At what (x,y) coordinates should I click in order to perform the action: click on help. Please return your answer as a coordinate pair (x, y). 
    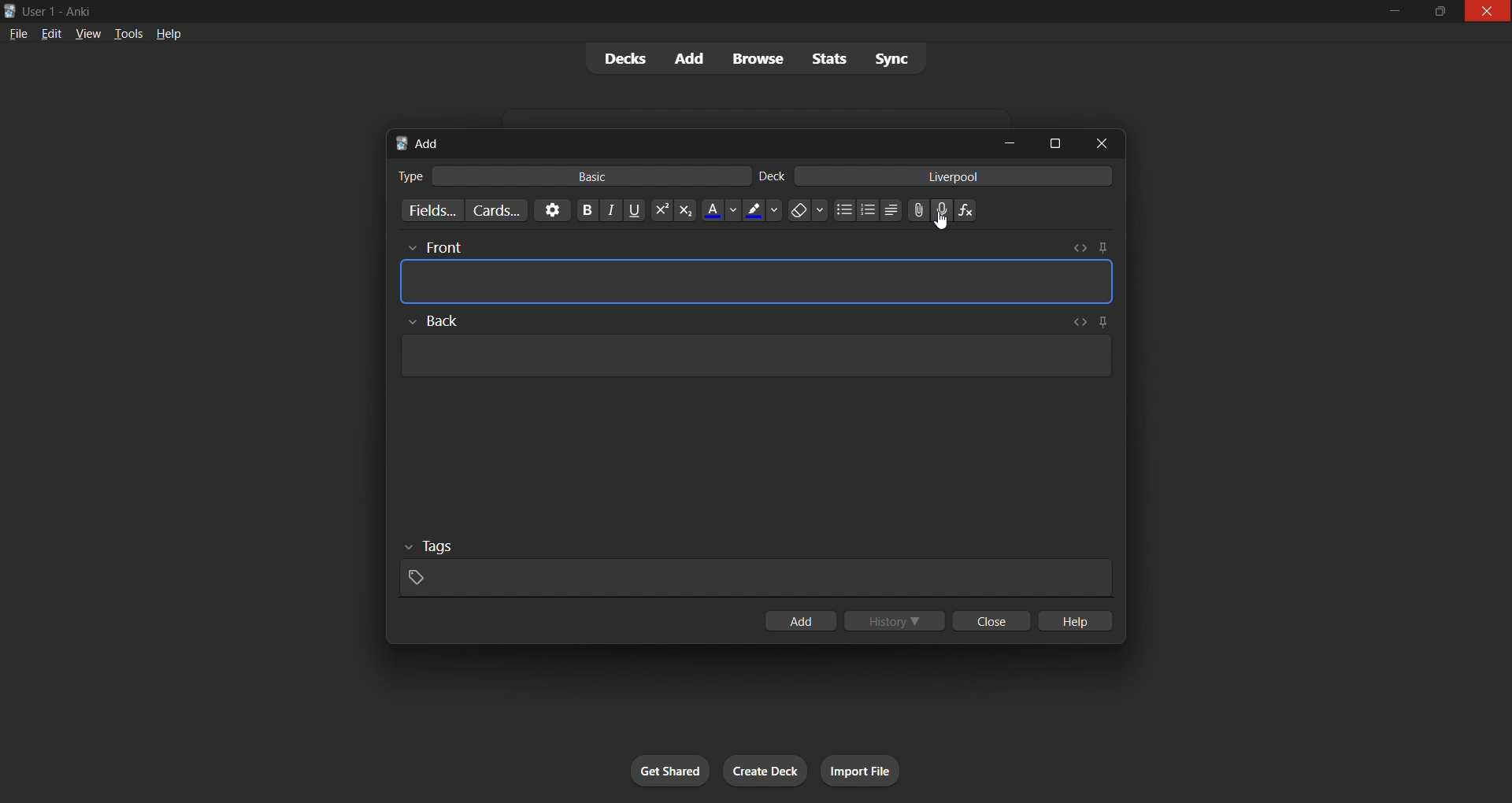
    Looking at the image, I should click on (167, 31).